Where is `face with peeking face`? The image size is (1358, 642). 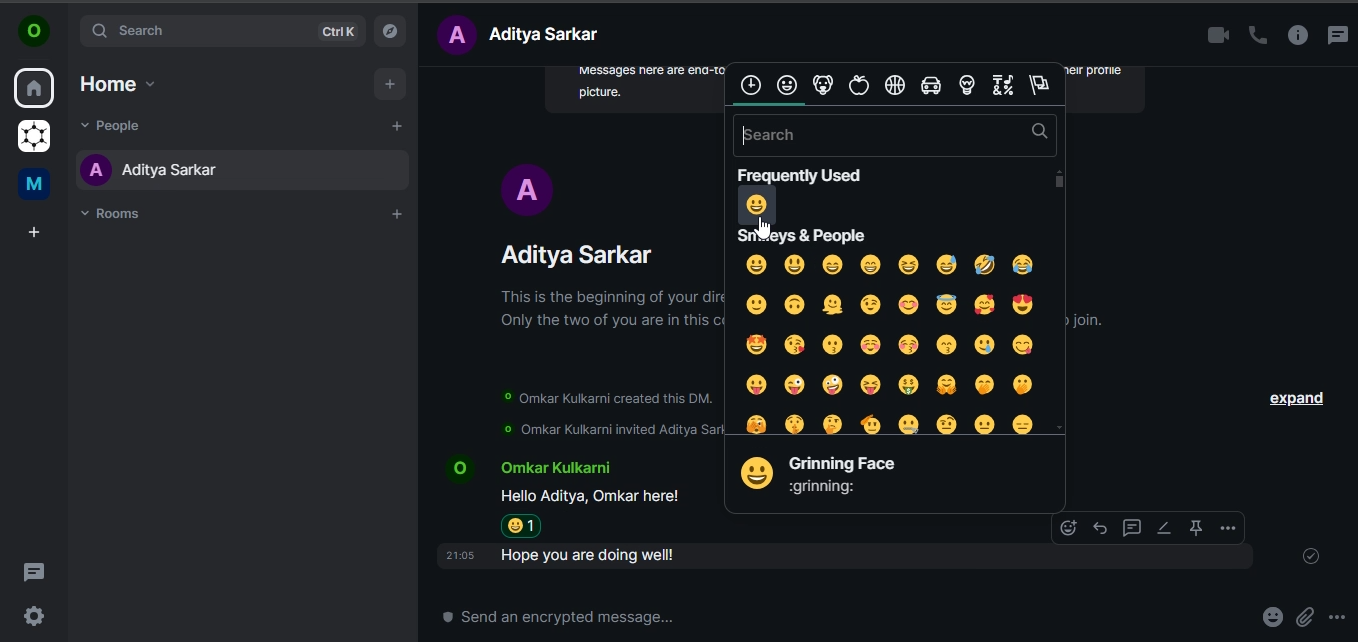
face with peeking face is located at coordinates (759, 423).